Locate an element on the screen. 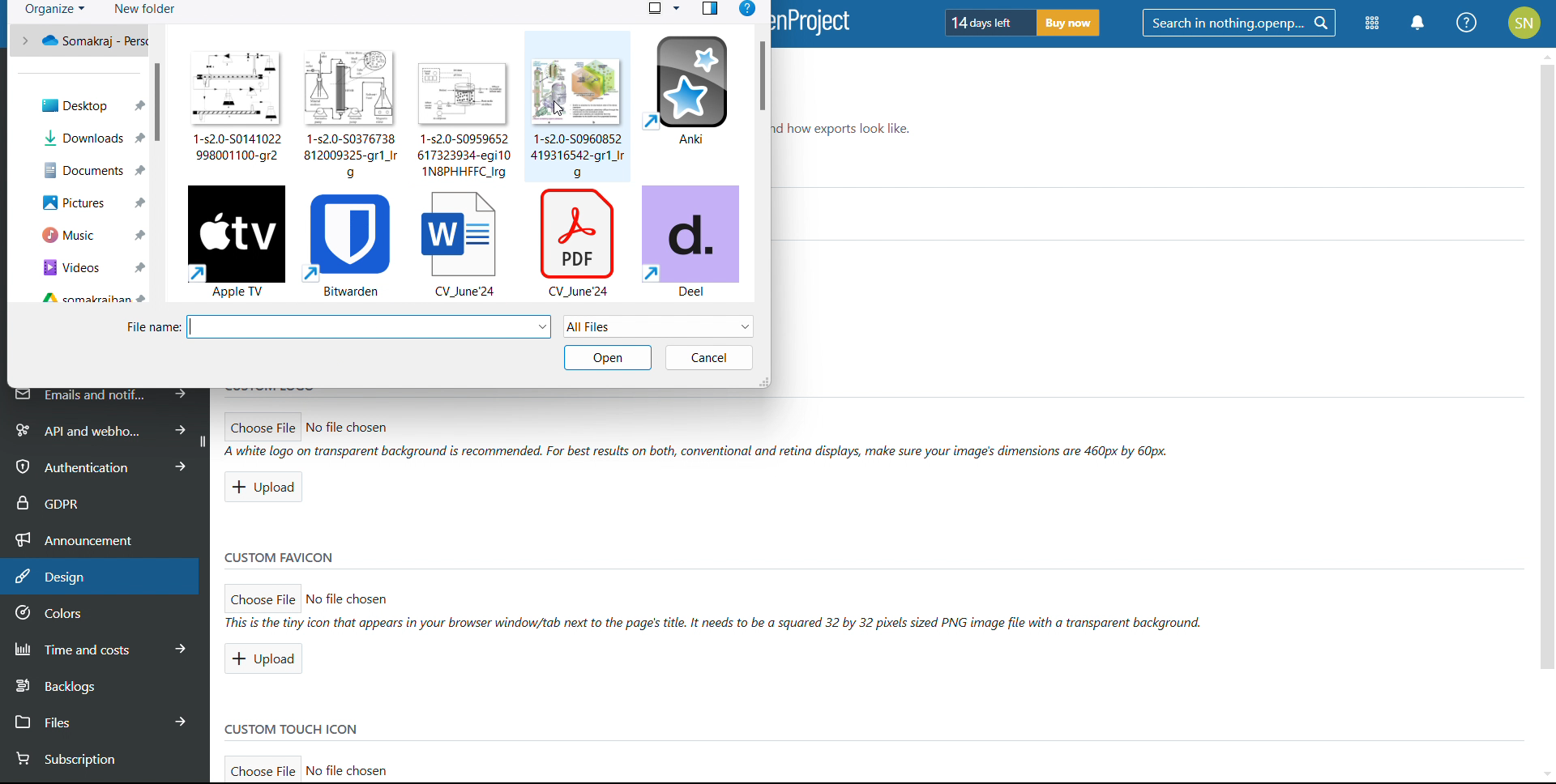  files in folder is located at coordinates (226, 101).